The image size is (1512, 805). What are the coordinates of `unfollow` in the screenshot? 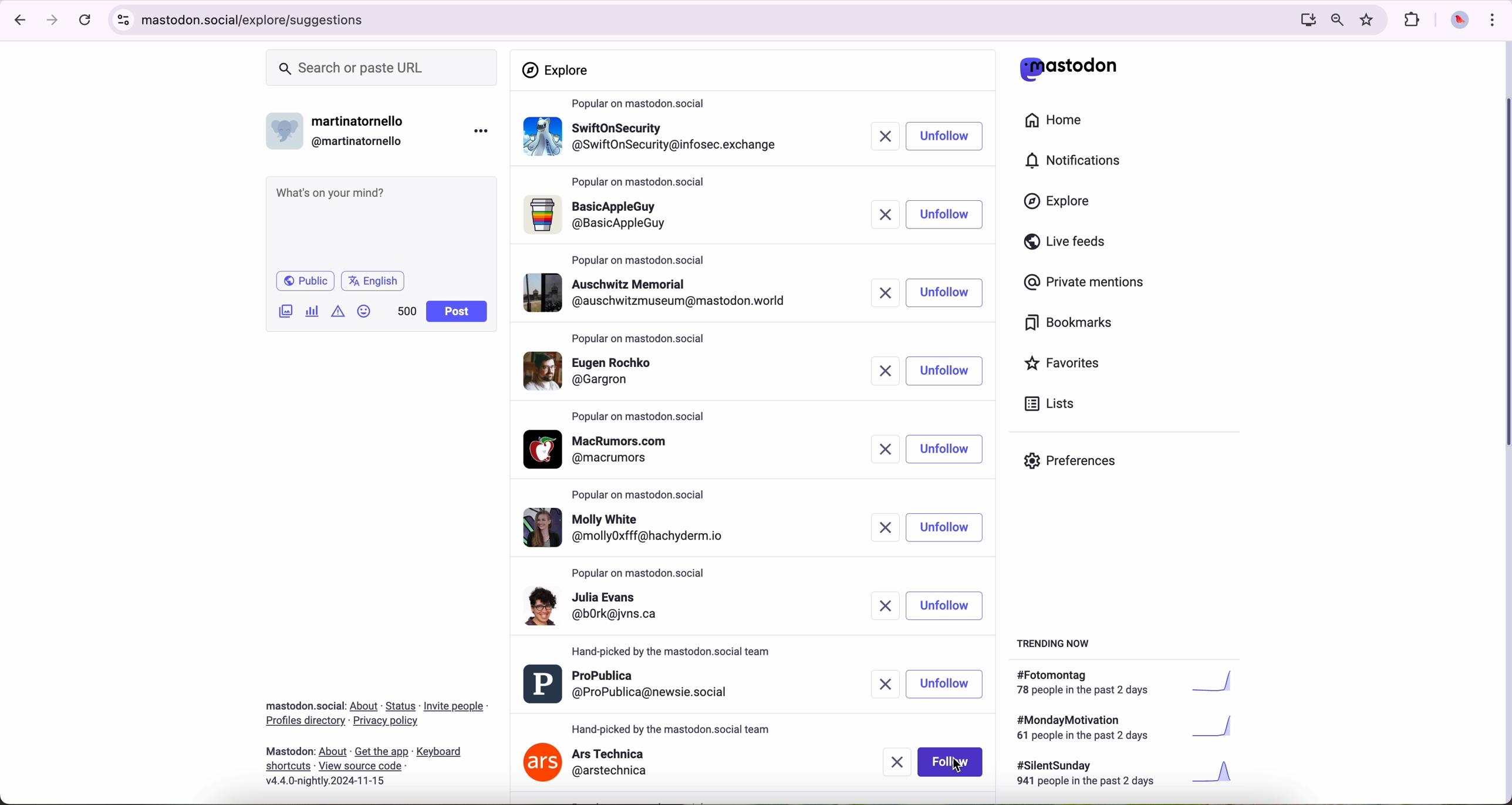 It's located at (944, 372).